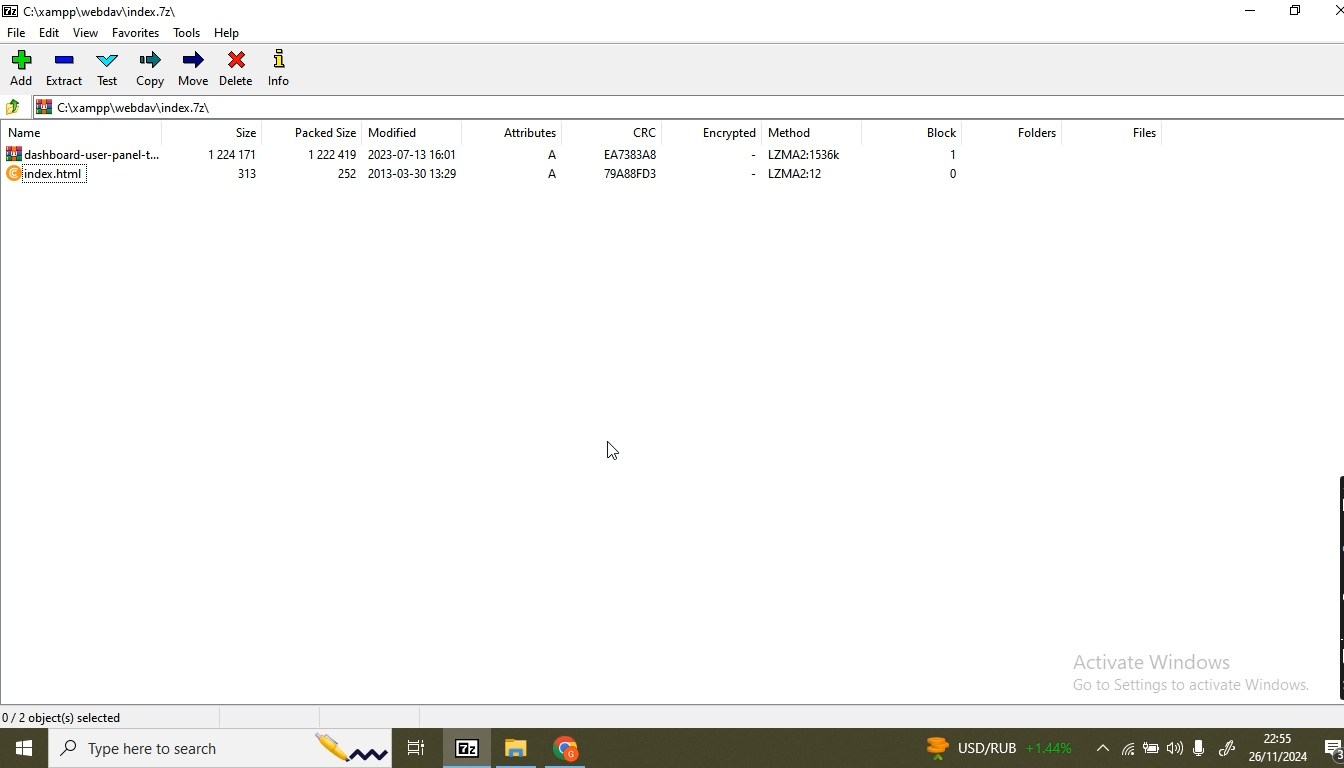  Describe the element at coordinates (401, 131) in the screenshot. I see `modified` at that location.